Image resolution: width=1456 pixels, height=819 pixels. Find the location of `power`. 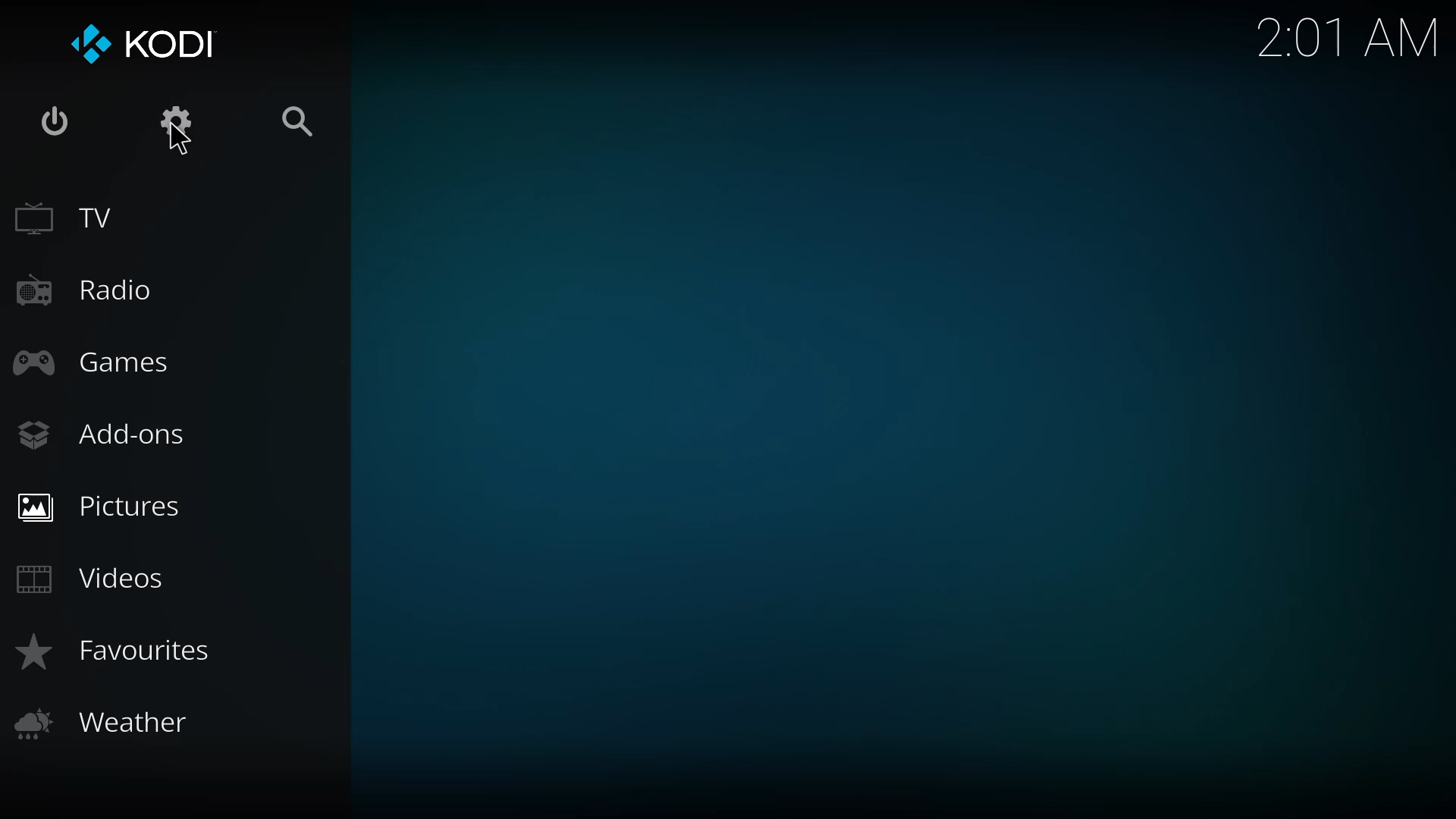

power is located at coordinates (53, 123).